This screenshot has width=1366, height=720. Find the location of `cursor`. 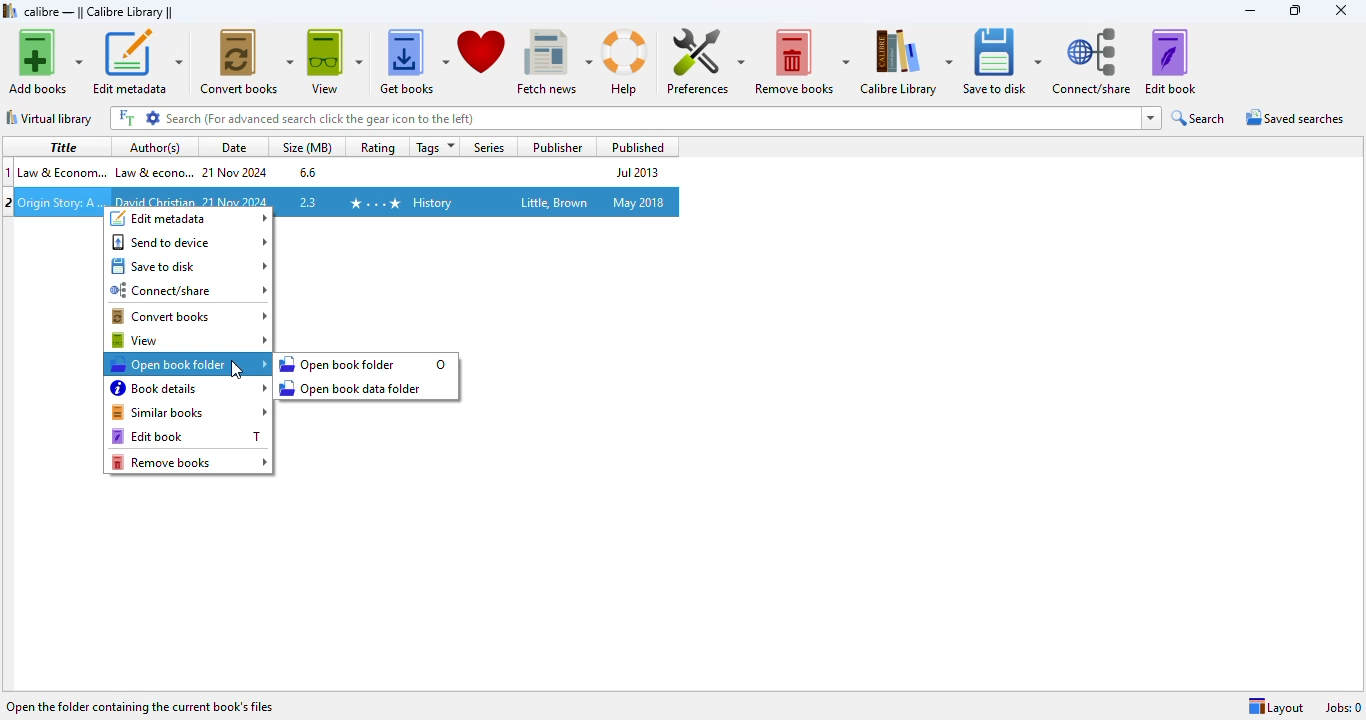

cursor is located at coordinates (236, 371).